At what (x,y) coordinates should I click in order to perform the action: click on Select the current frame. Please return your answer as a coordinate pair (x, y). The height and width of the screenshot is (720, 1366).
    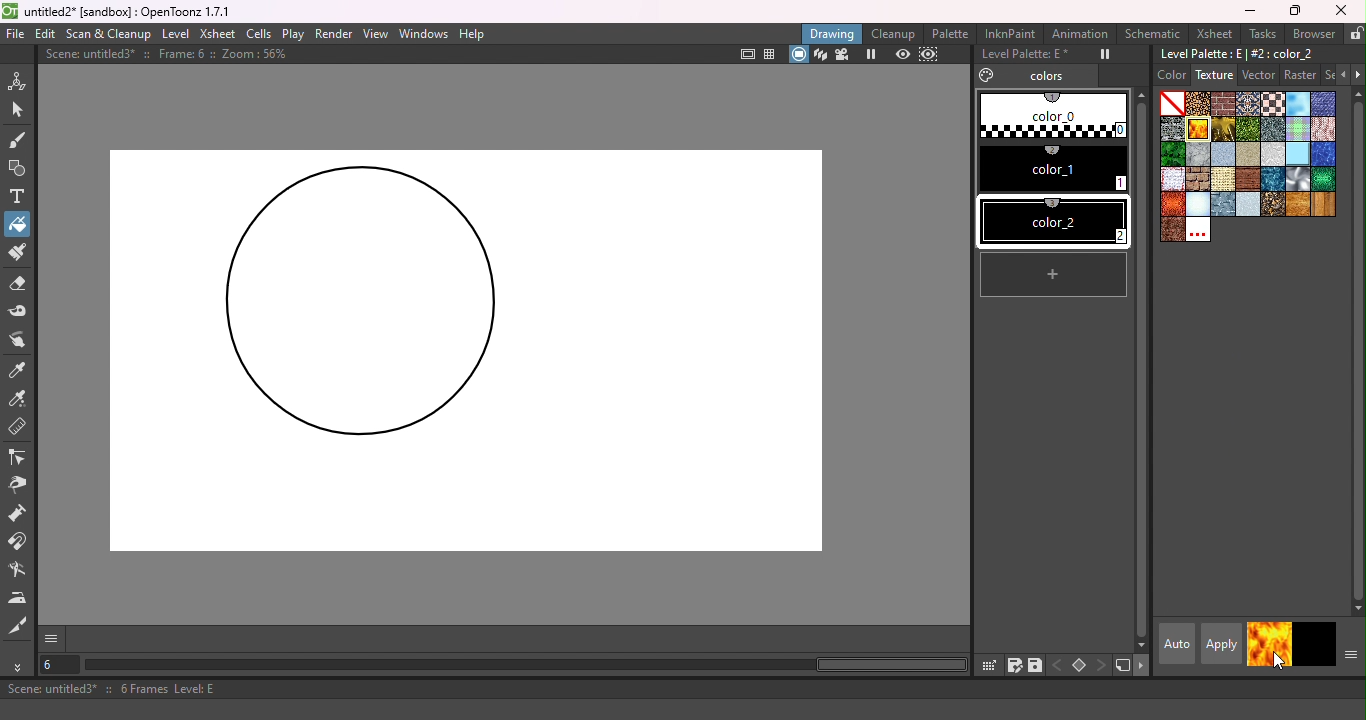
    Looking at the image, I should click on (61, 666).